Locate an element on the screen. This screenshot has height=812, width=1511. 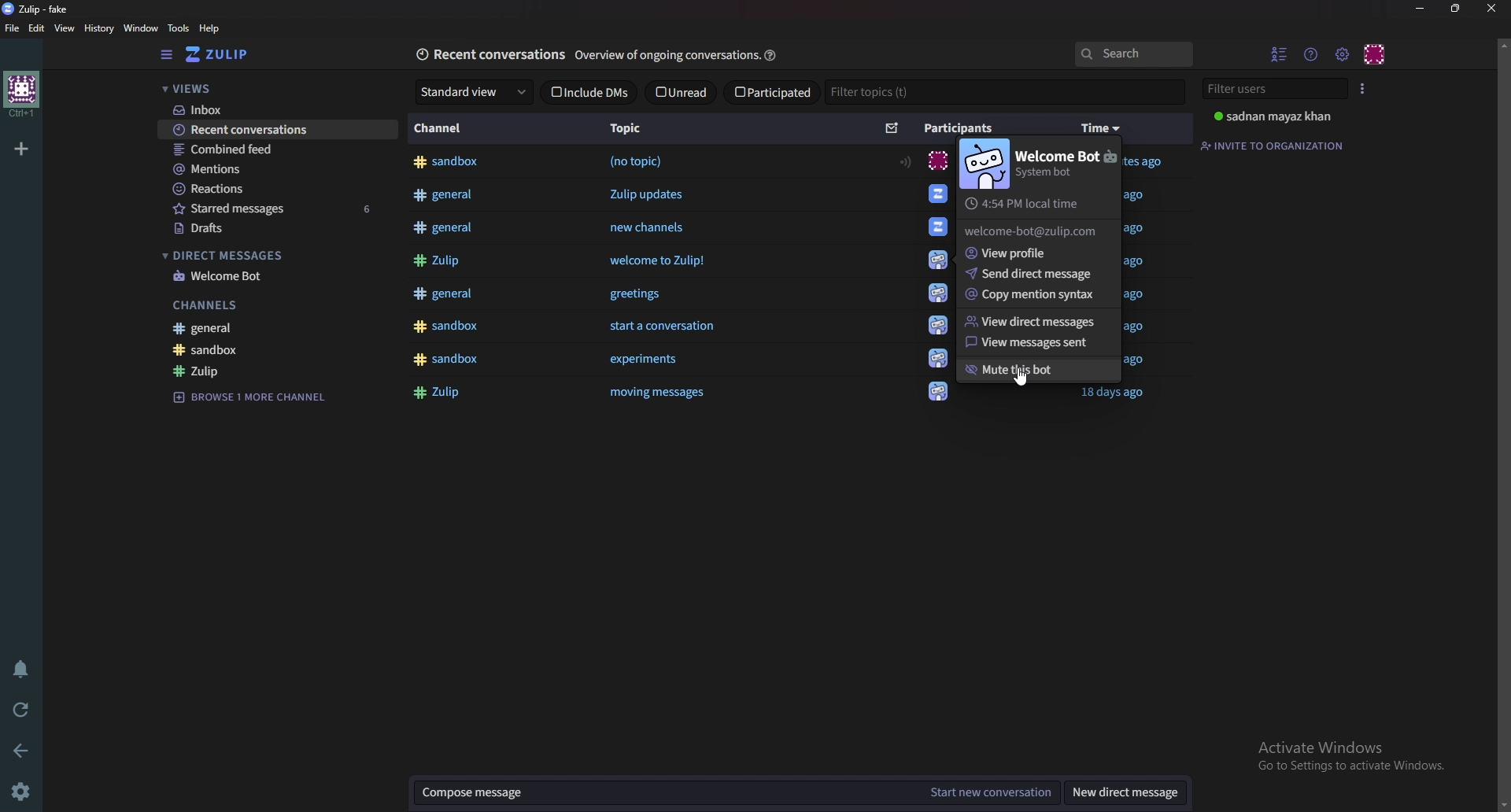
General is located at coordinates (276, 327).